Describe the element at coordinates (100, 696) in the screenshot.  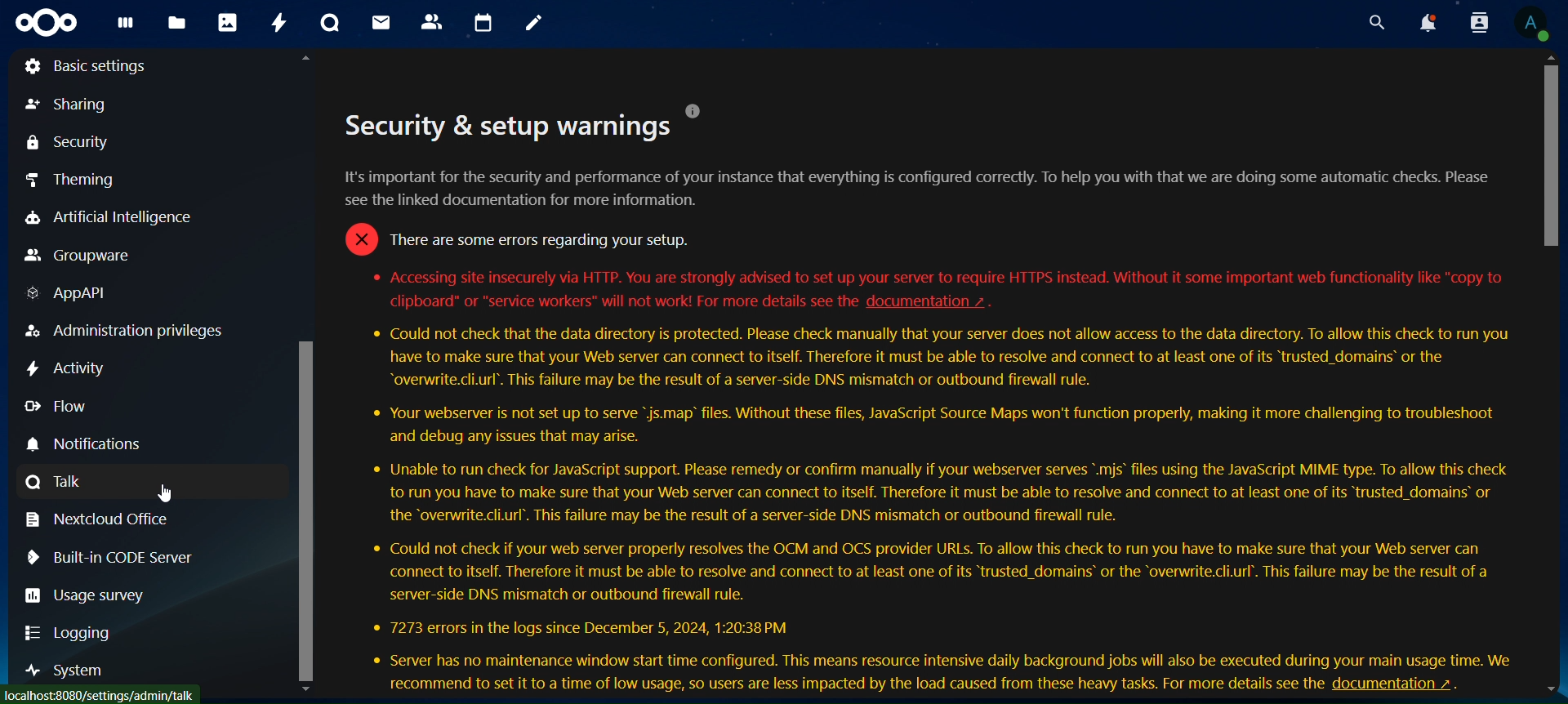
I see `loca/host/settings/admin/tmk` at that location.